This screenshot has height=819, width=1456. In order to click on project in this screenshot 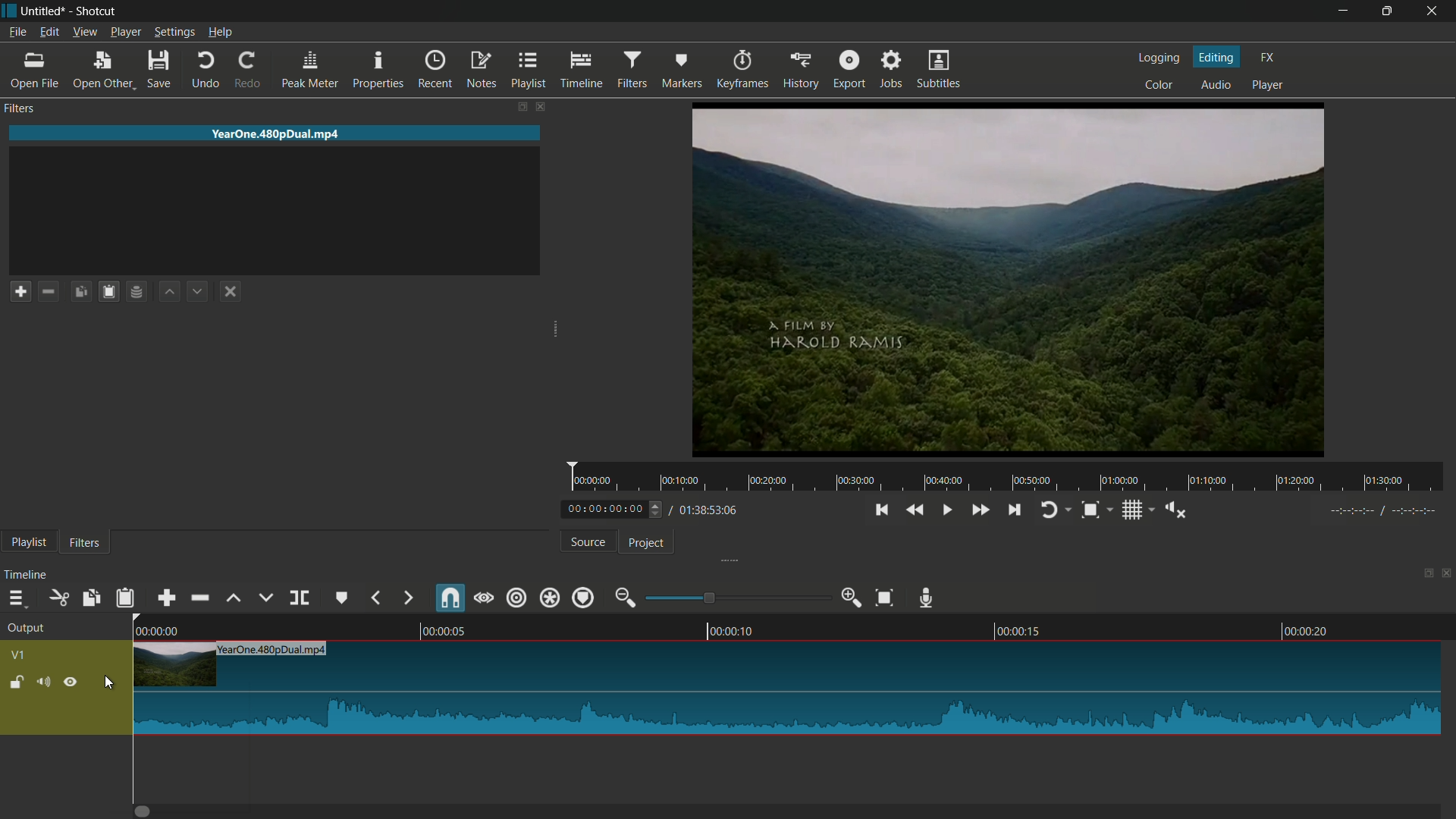, I will do `click(641, 541)`.